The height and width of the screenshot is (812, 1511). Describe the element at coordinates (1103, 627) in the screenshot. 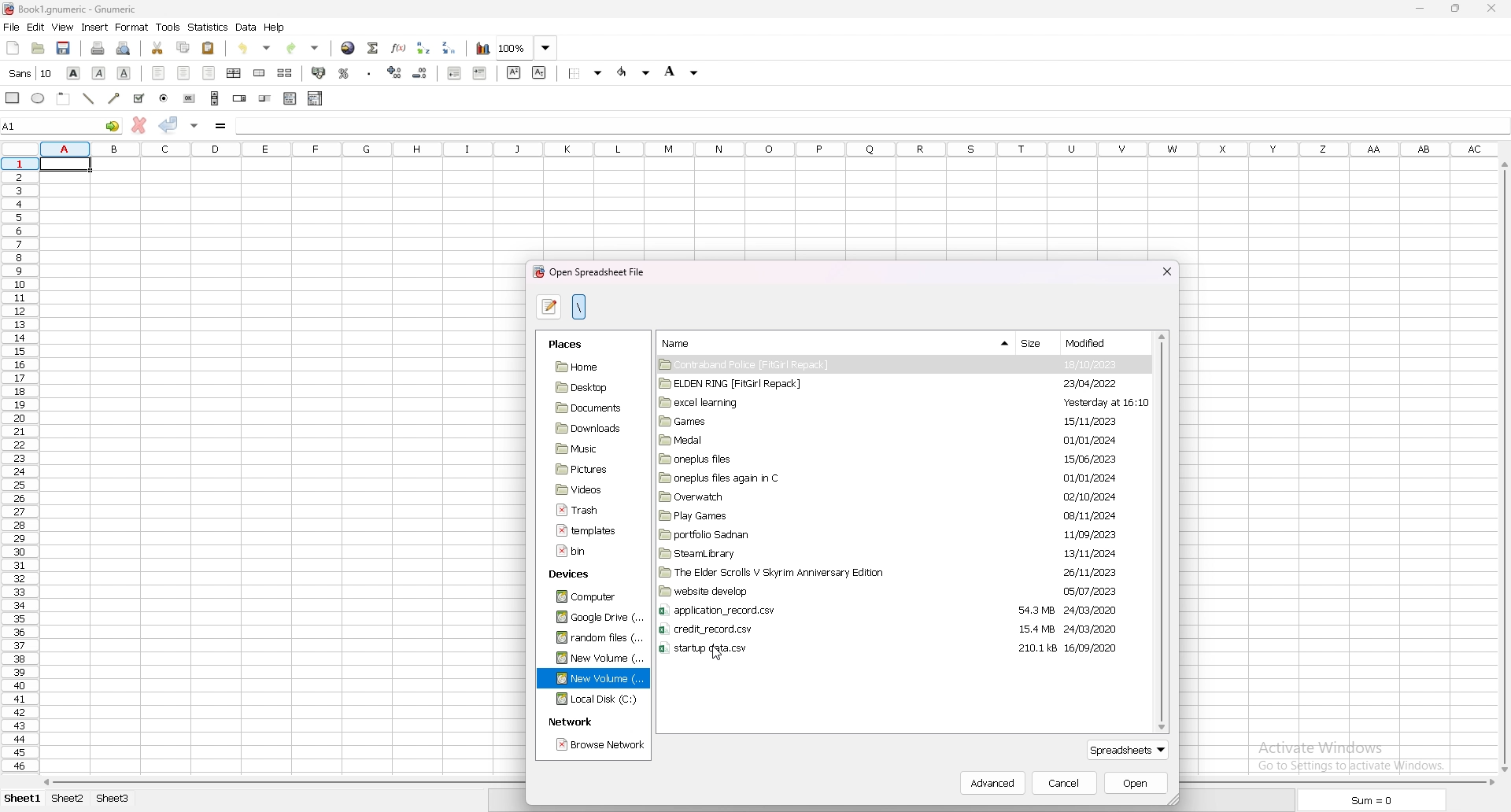

I see `24/03/2020` at that location.